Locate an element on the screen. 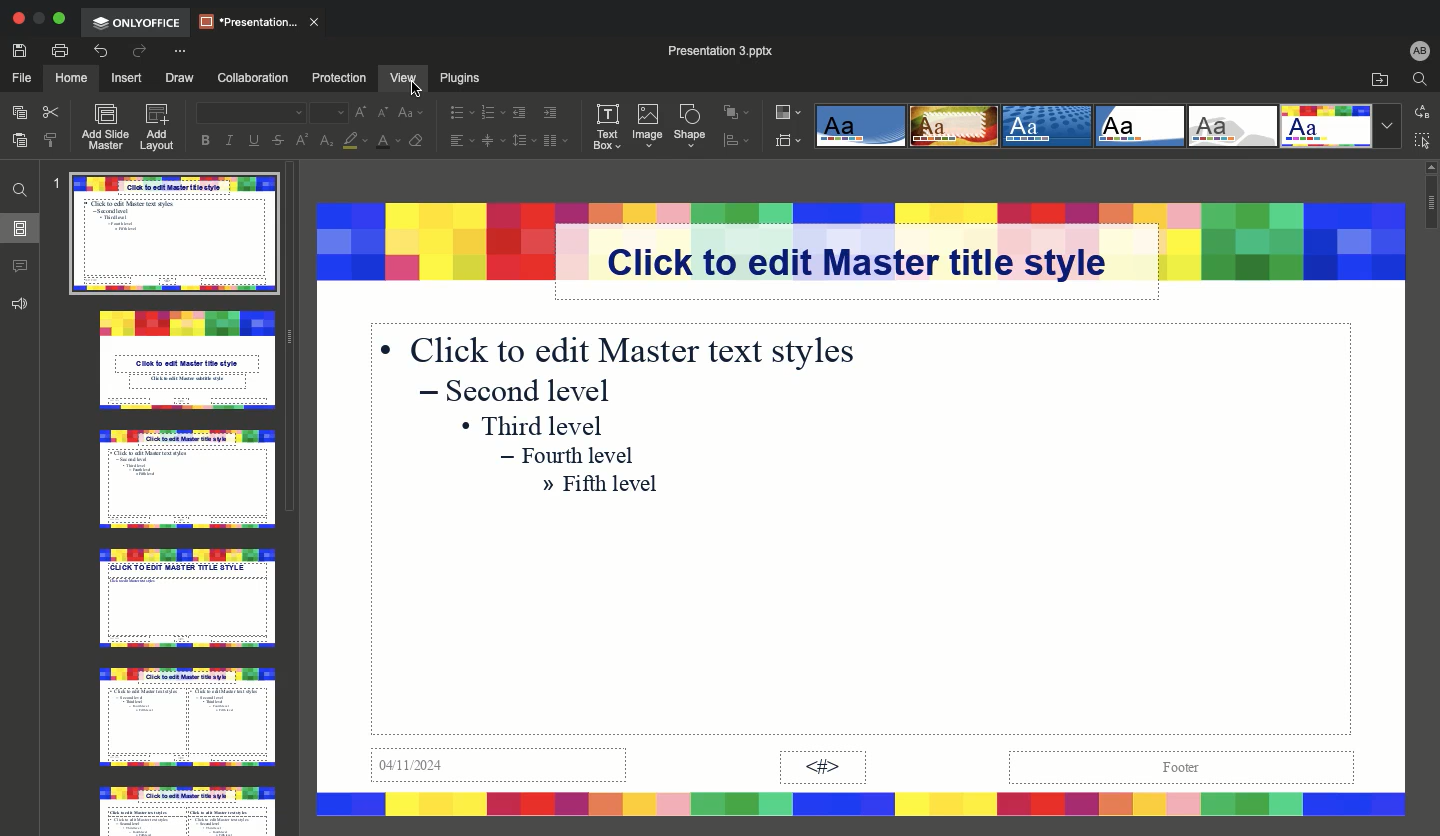 The width and height of the screenshot is (1440, 836). File is located at coordinates (19, 76).